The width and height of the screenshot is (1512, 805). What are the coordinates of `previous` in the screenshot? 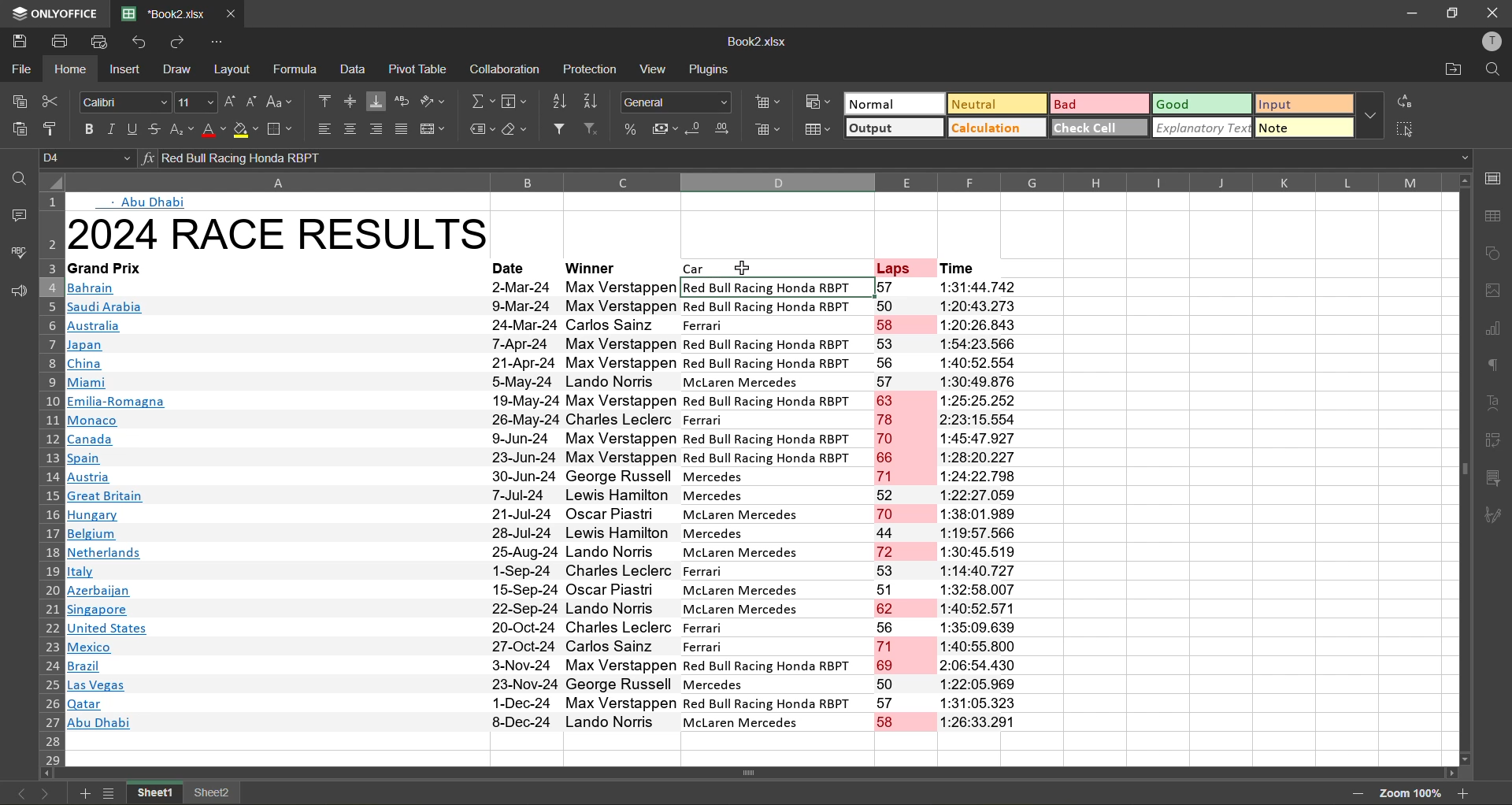 It's located at (13, 793).